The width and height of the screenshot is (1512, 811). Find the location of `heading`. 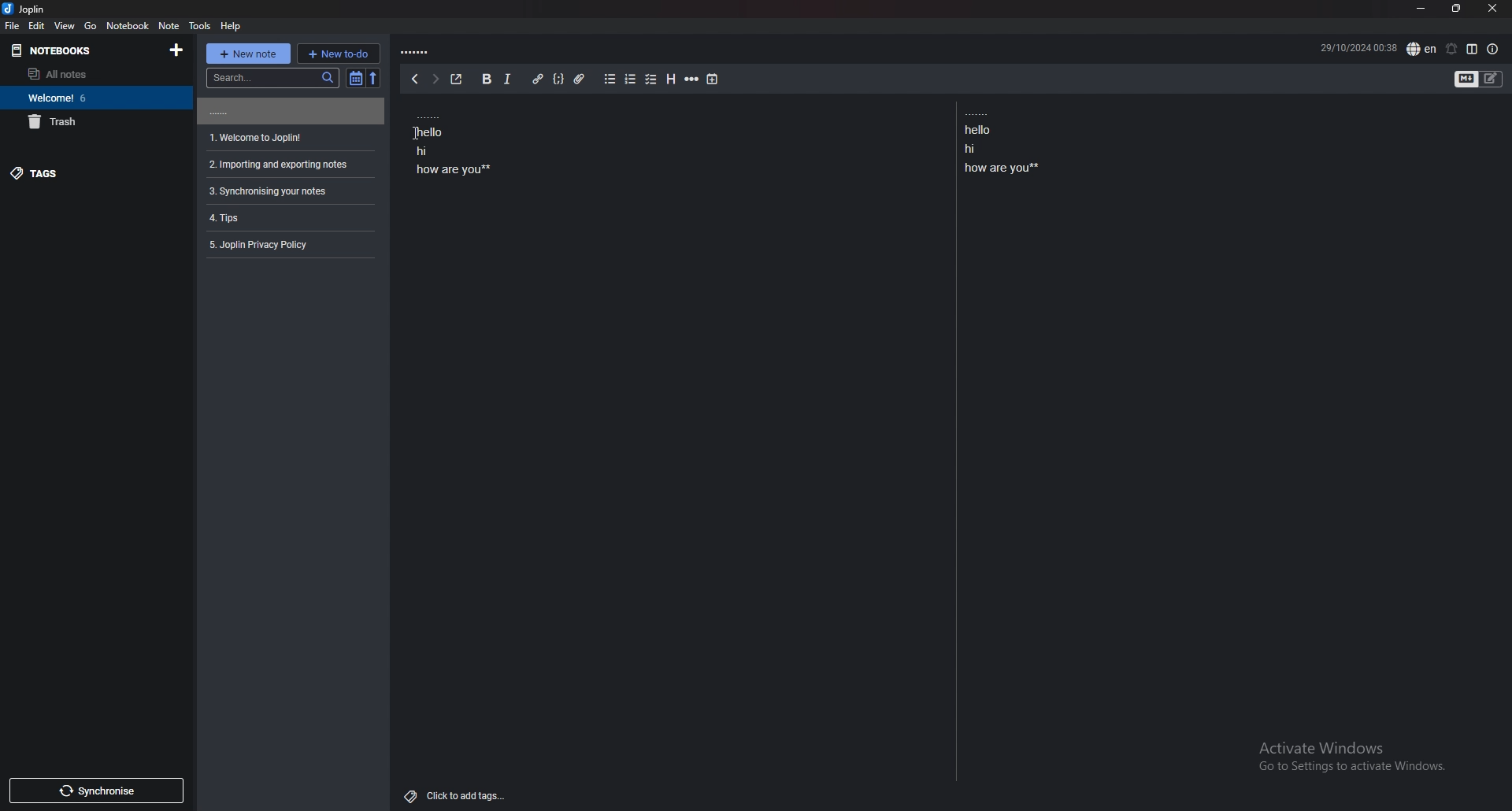

heading is located at coordinates (670, 79).